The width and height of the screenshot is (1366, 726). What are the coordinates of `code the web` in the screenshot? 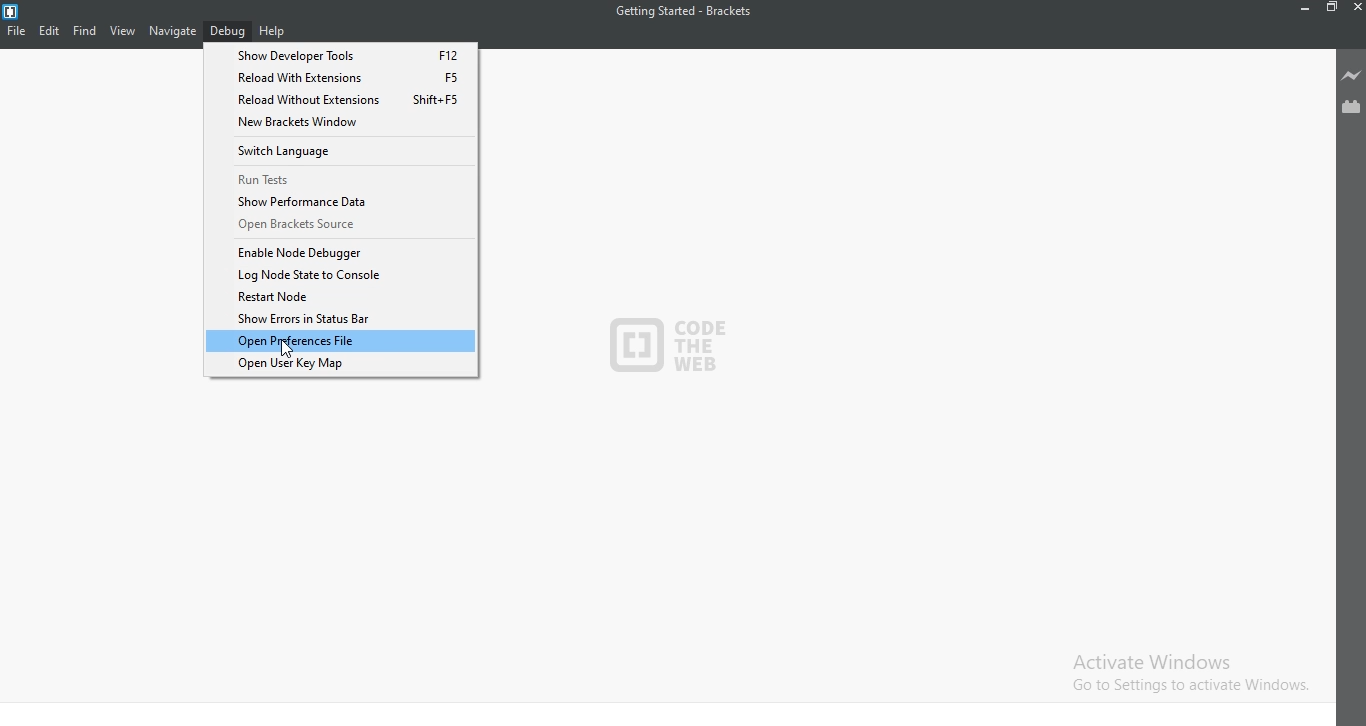 It's located at (673, 352).